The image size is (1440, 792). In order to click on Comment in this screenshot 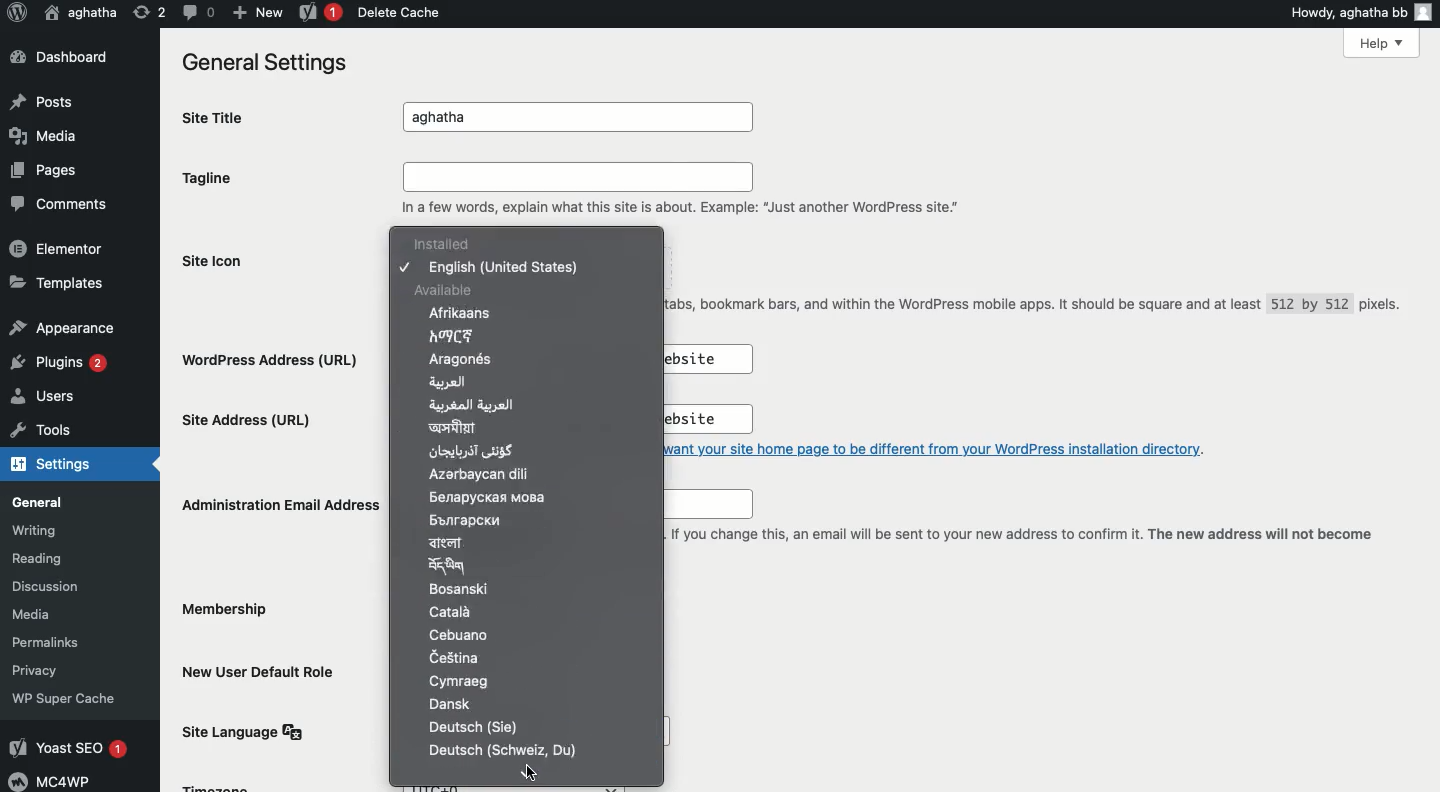, I will do `click(195, 12)`.